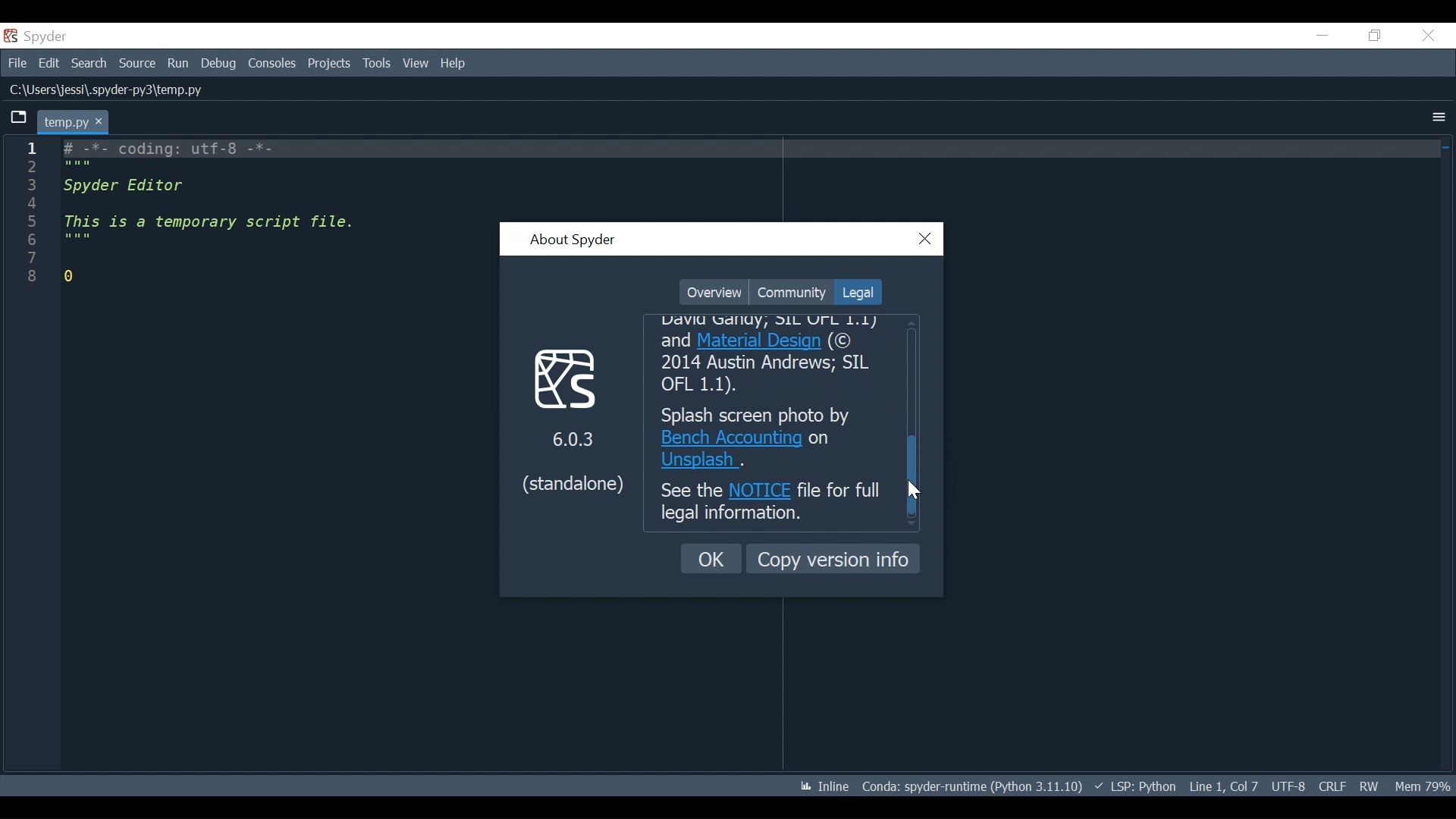 The height and width of the screenshot is (819, 1456). What do you see at coordinates (1223, 784) in the screenshot?
I see `Line 1, Col 7` at bounding box center [1223, 784].